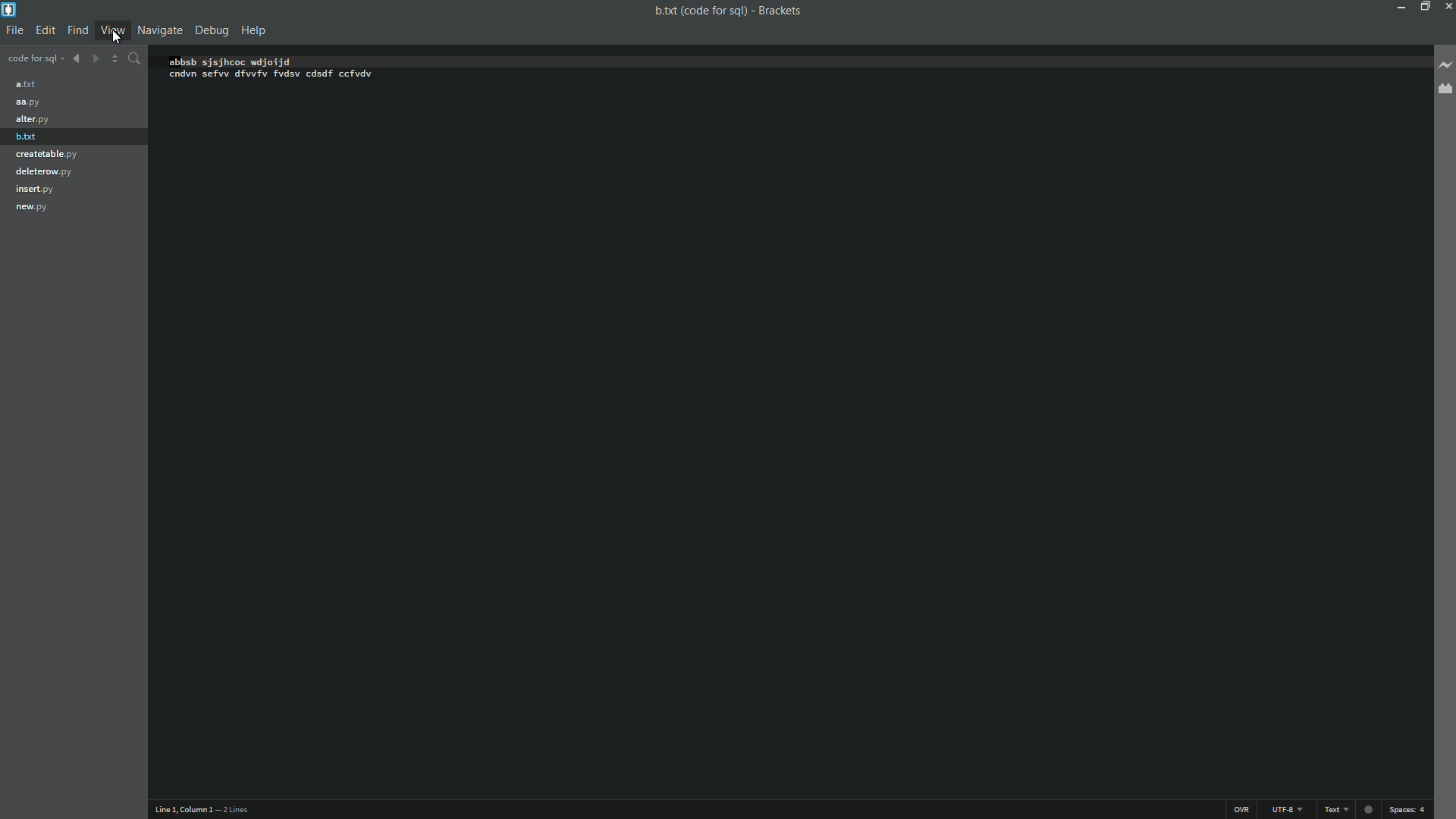 Image resolution: width=1456 pixels, height=819 pixels. I want to click on Debug menu, so click(215, 30).